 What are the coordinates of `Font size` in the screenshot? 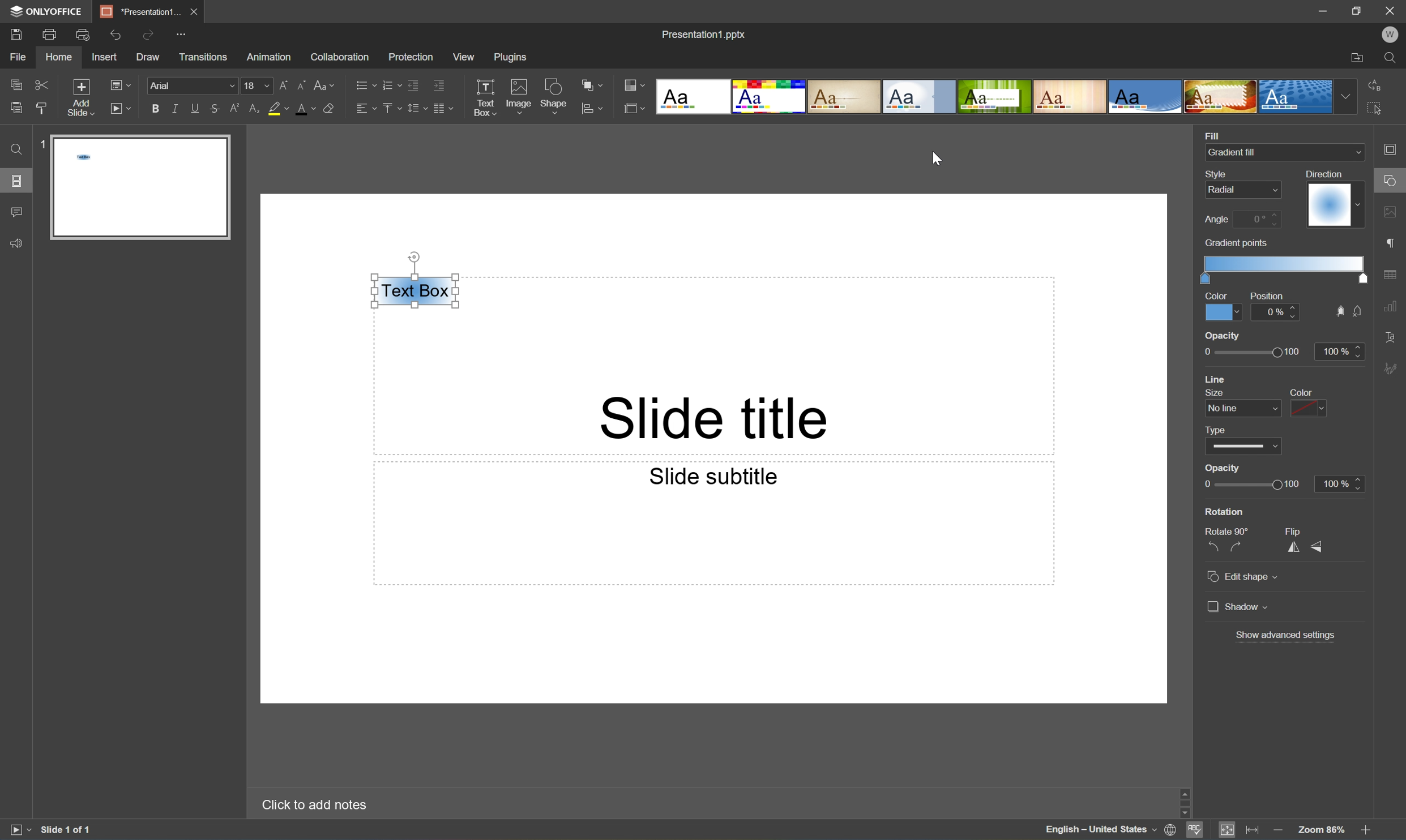 It's located at (257, 84).